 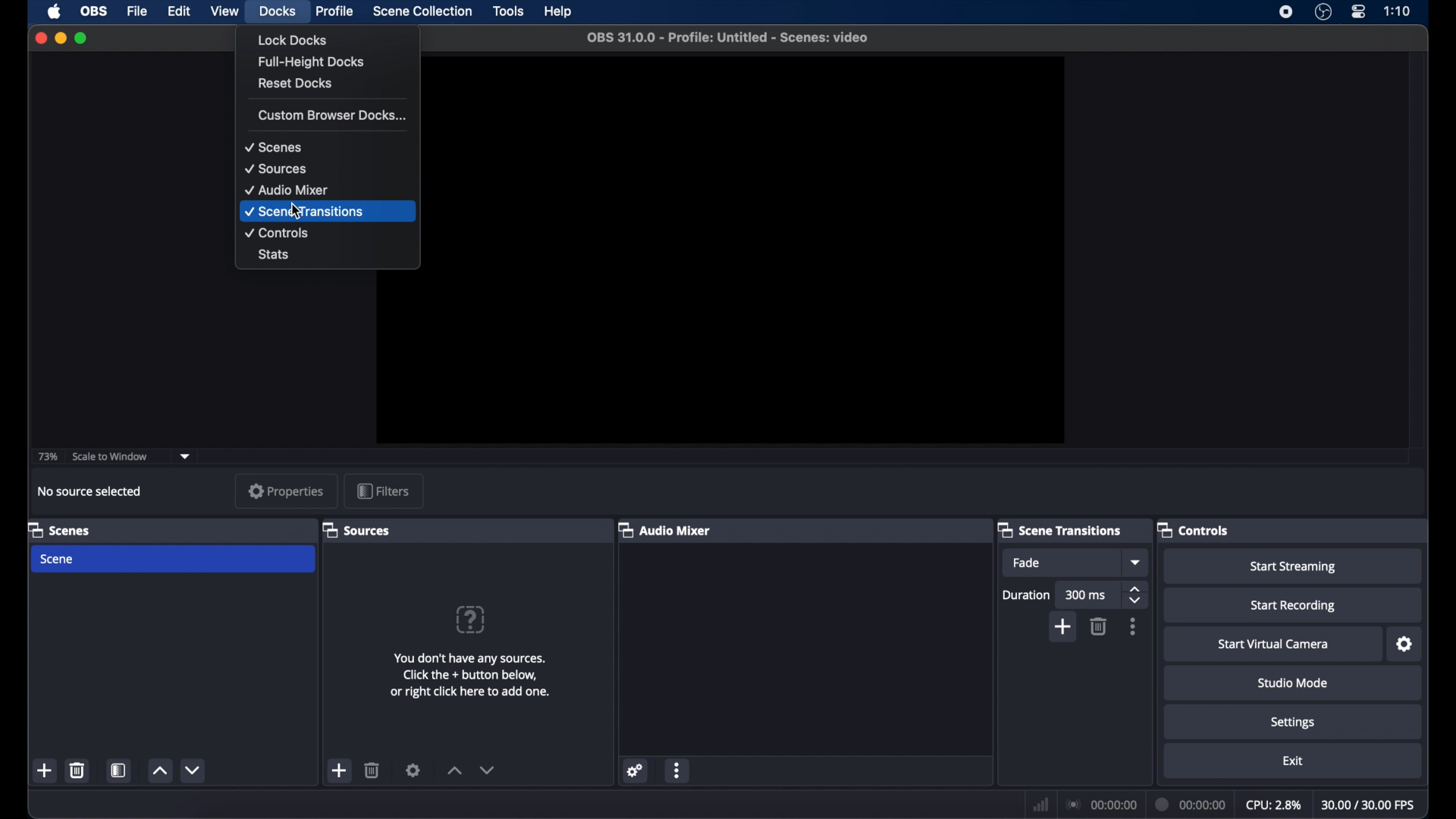 I want to click on apple icon, so click(x=54, y=11).